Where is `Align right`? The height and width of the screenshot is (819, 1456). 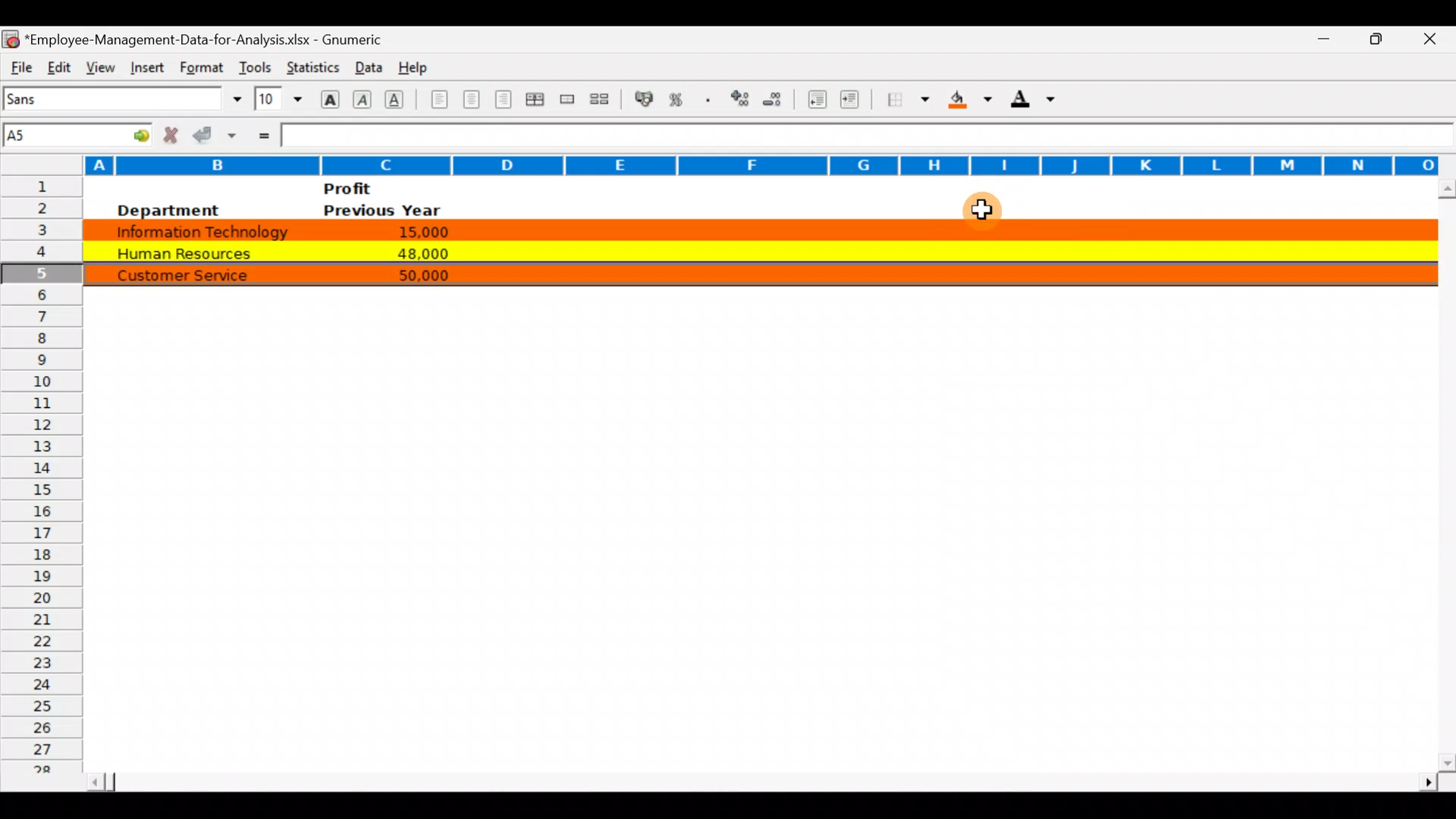 Align right is located at coordinates (506, 99).